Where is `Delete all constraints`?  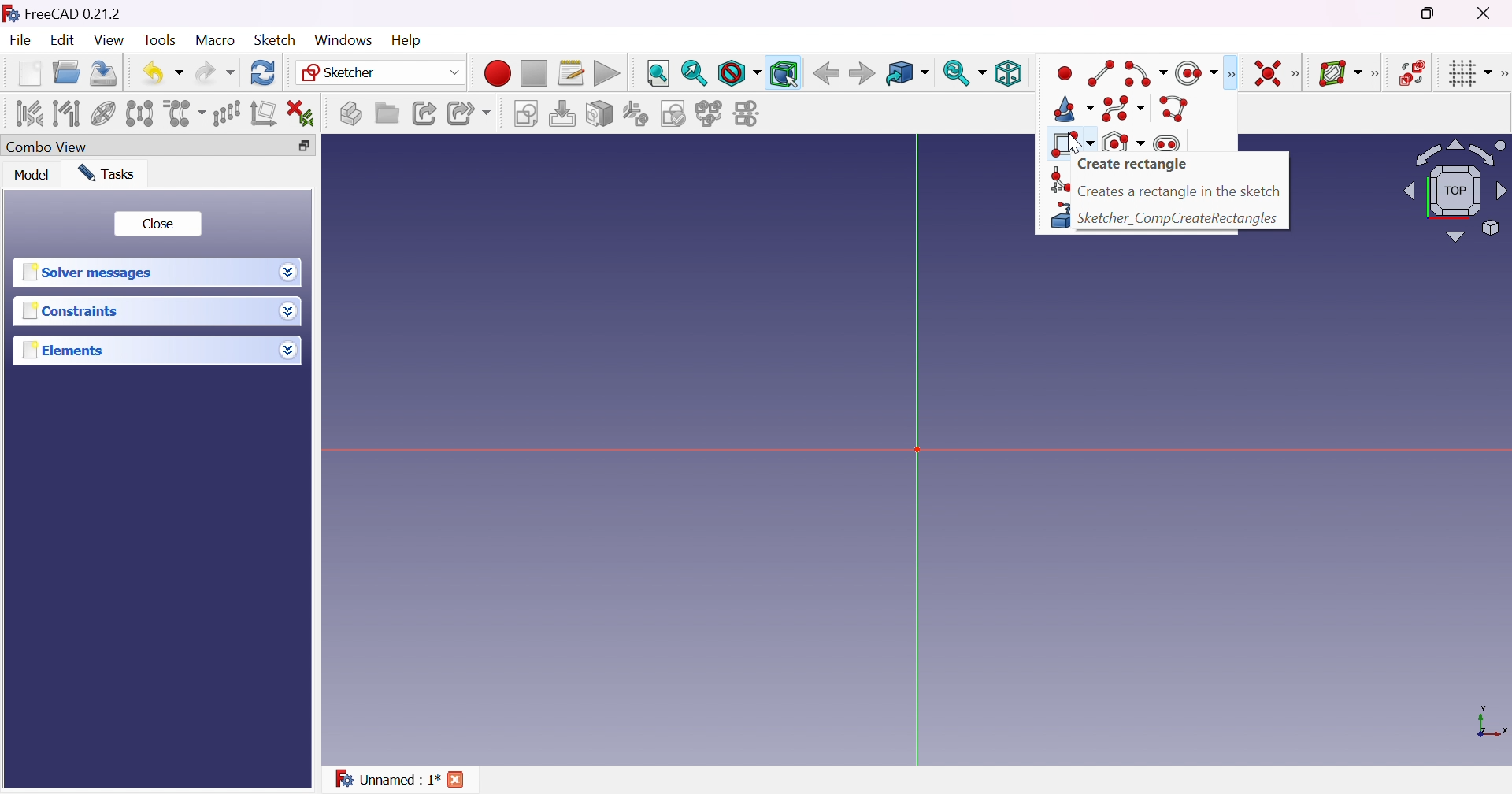 Delete all constraints is located at coordinates (301, 113).